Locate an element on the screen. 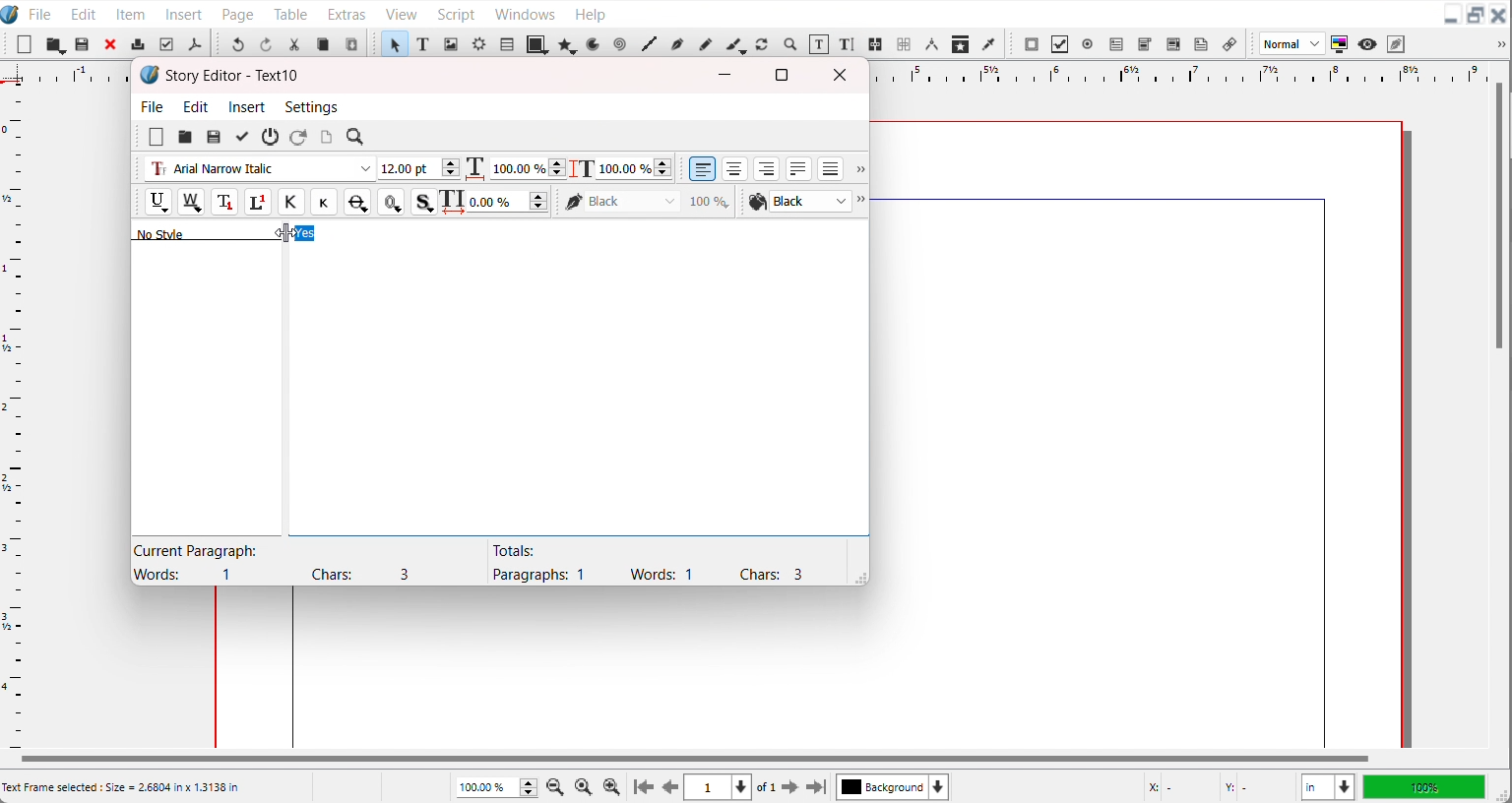 The width and height of the screenshot is (1512, 803). Arc is located at coordinates (595, 43).